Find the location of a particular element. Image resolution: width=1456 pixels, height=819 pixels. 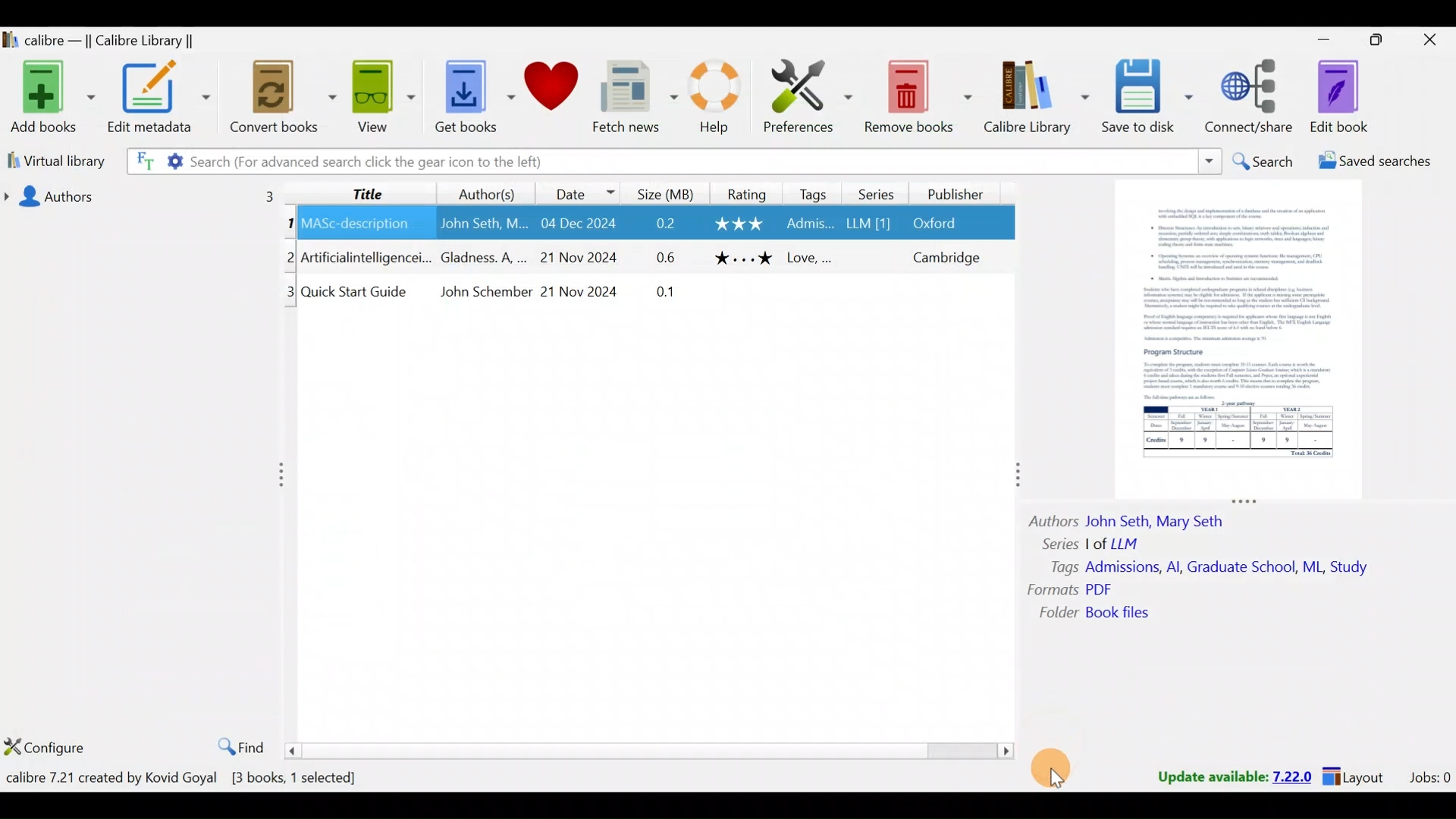

Search is located at coordinates (1262, 159).